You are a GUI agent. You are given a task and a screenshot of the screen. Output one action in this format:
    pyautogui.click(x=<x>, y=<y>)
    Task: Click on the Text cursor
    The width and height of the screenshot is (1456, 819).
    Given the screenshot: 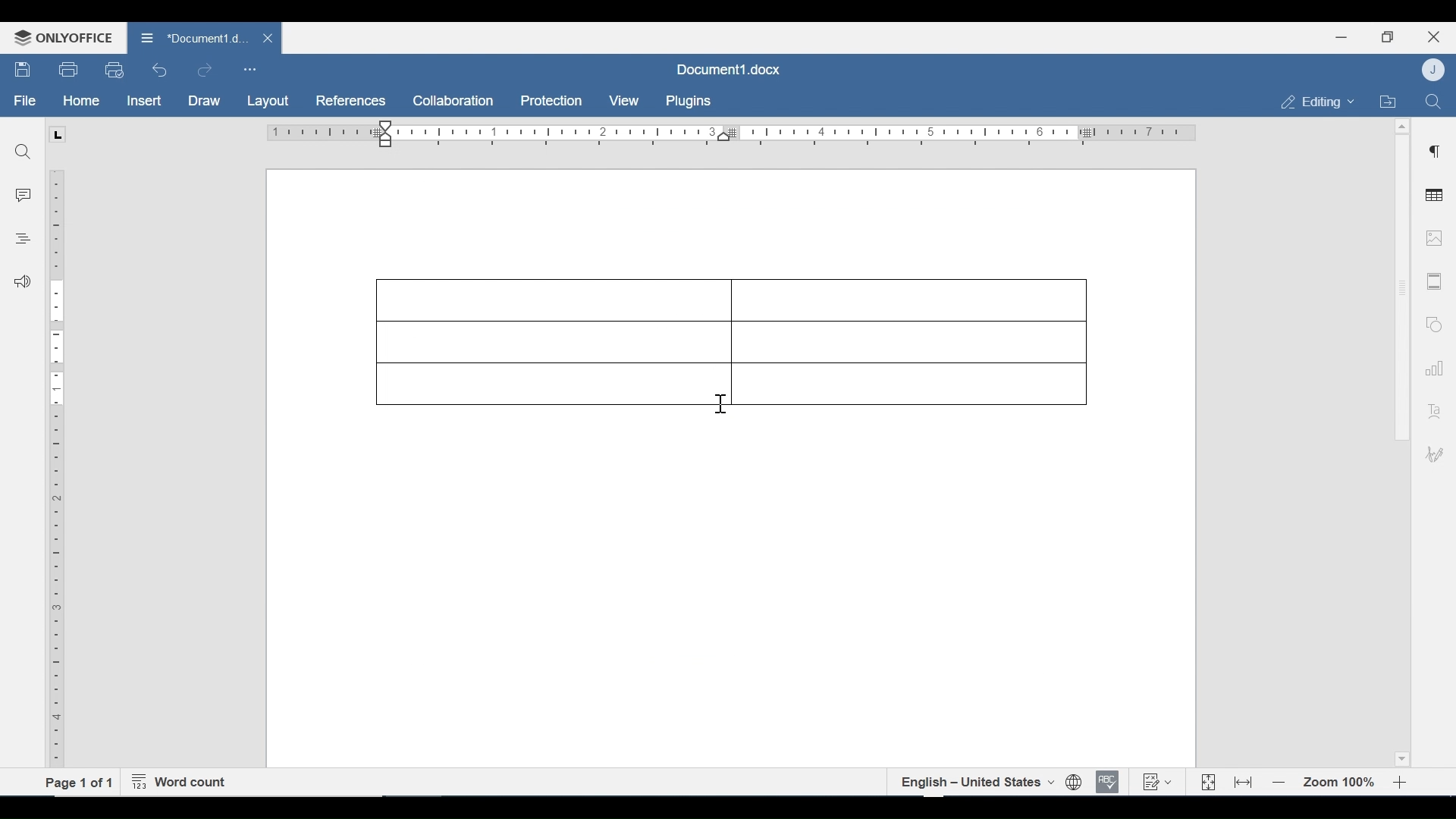 What is the action you would take?
    pyautogui.click(x=722, y=403)
    